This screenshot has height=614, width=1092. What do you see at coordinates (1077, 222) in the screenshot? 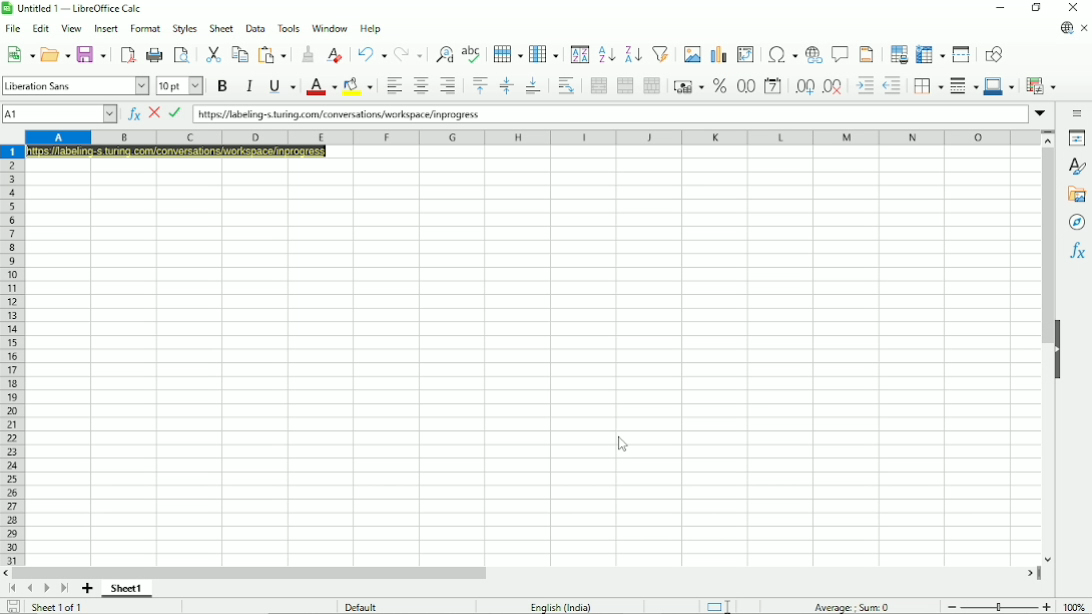
I see `Navigator` at bounding box center [1077, 222].